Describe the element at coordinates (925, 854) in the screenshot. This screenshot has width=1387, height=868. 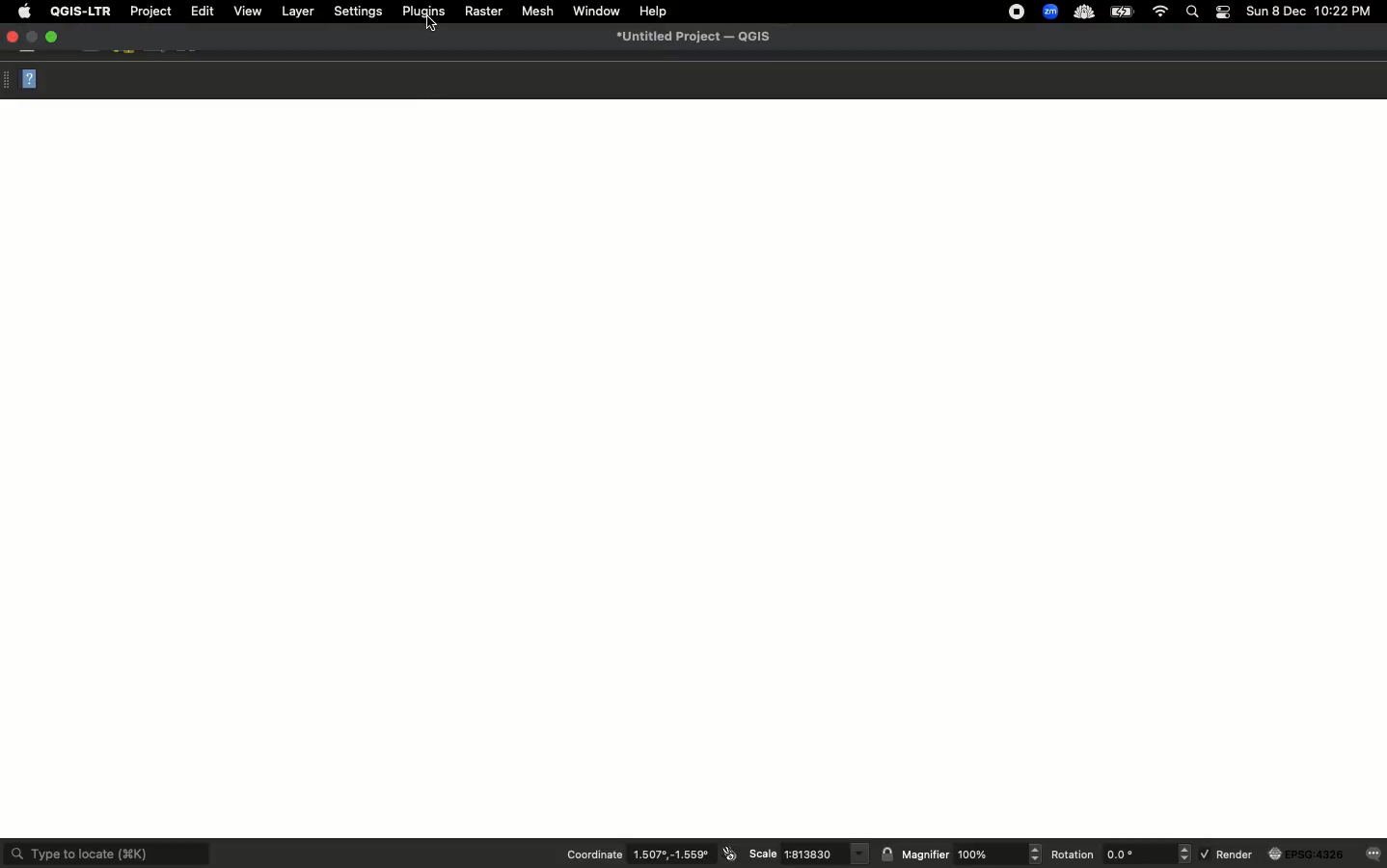
I see `Magnifier` at that location.